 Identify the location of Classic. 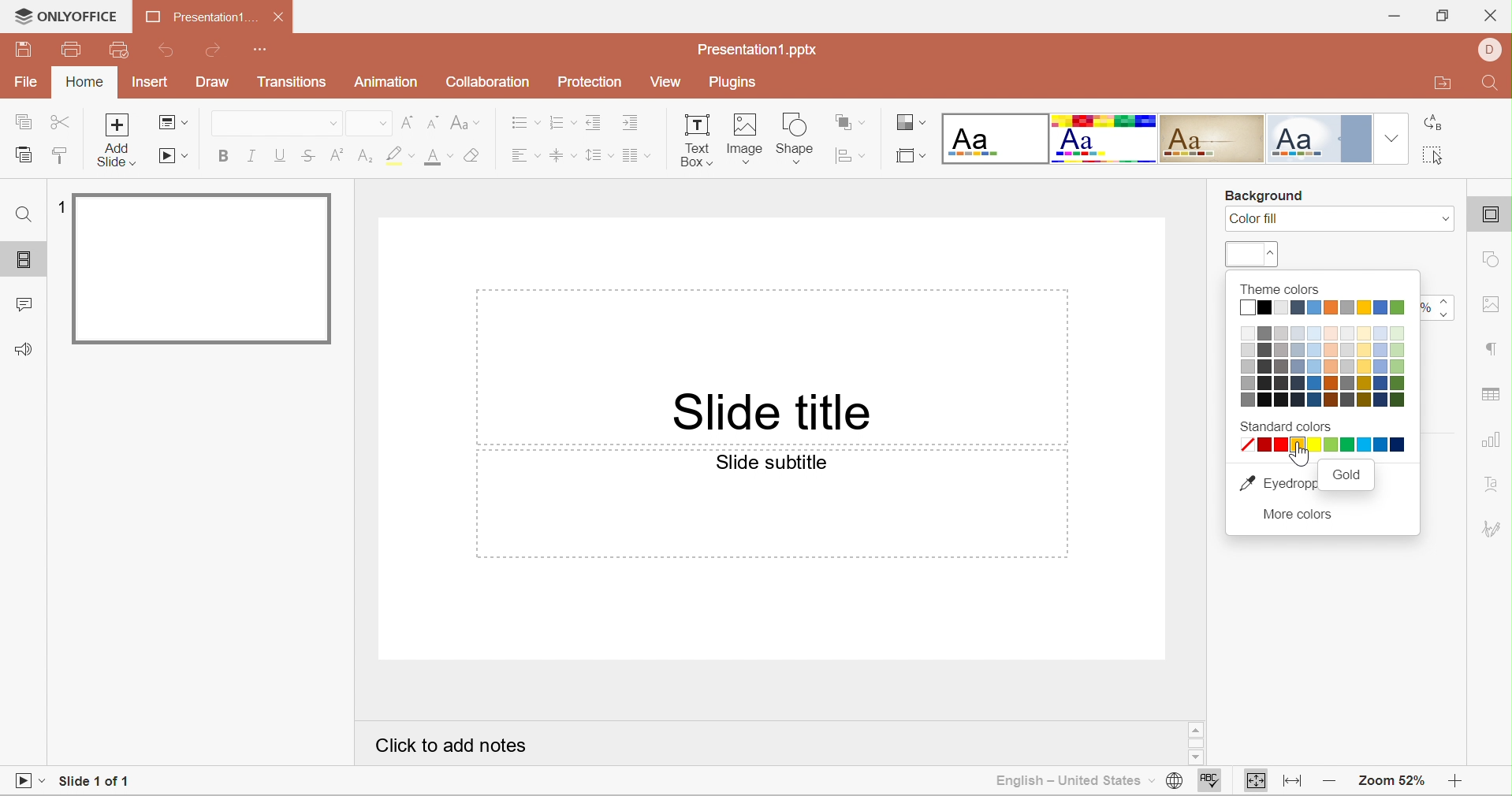
(1213, 141).